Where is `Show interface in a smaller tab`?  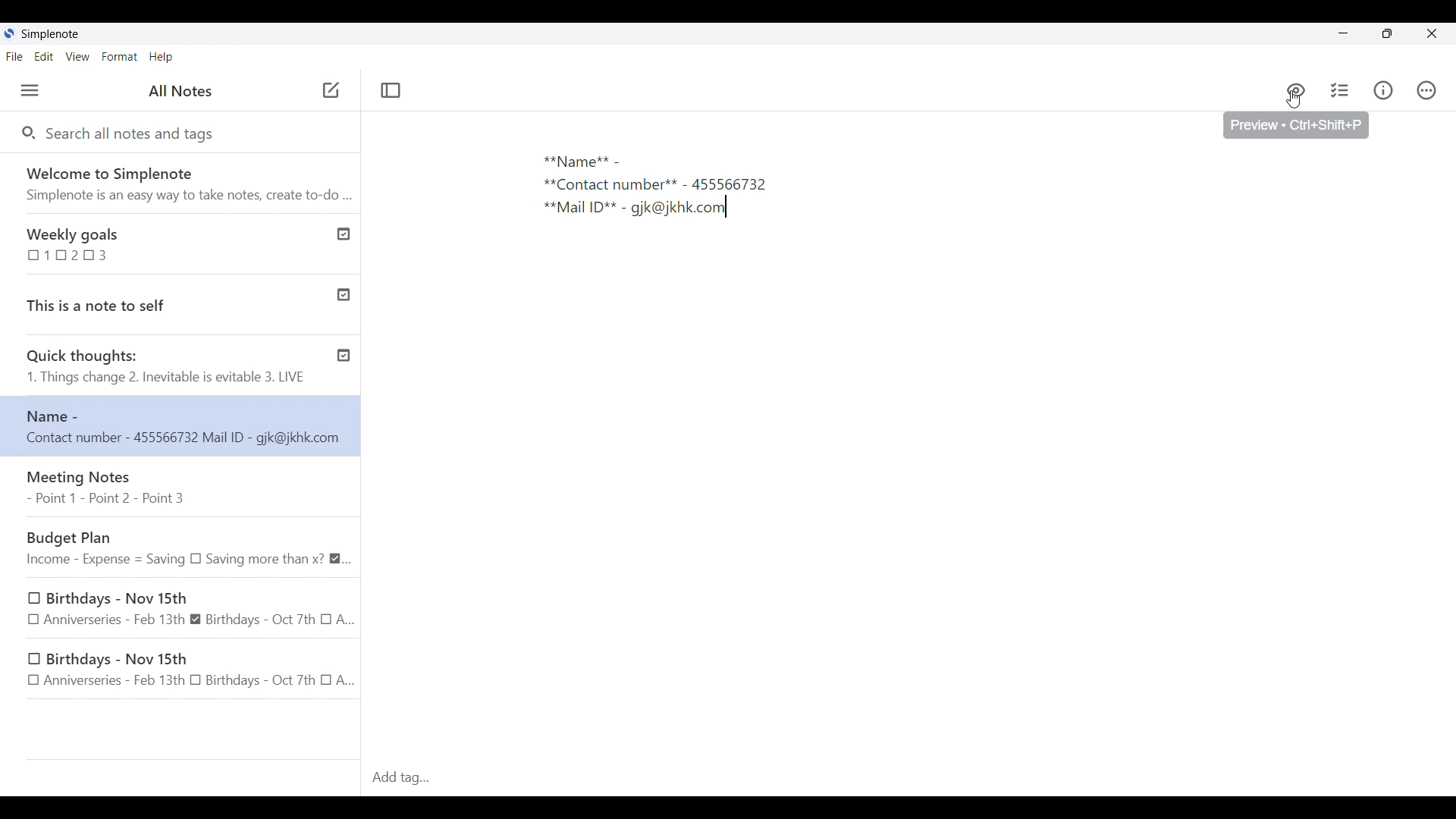
Show interface in a smaller tab is located at coordinates (1388, 33).